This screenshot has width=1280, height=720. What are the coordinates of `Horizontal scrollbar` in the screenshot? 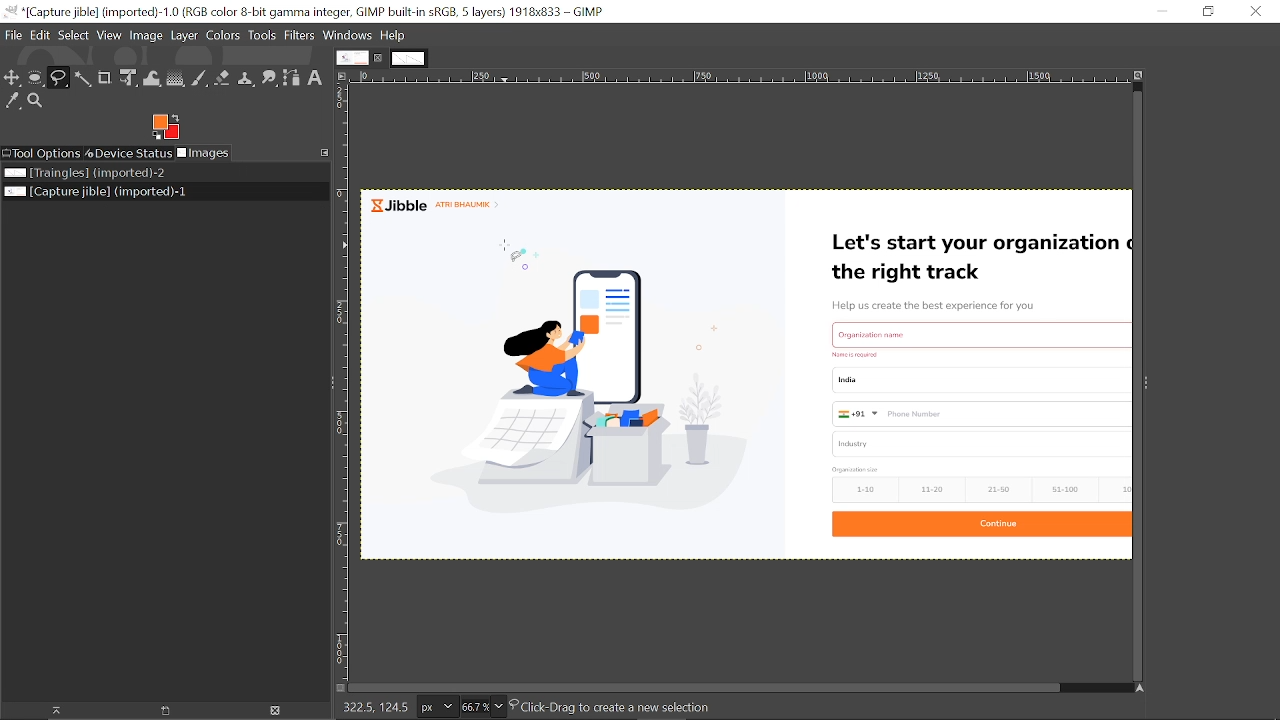 It's located at (702, 688).